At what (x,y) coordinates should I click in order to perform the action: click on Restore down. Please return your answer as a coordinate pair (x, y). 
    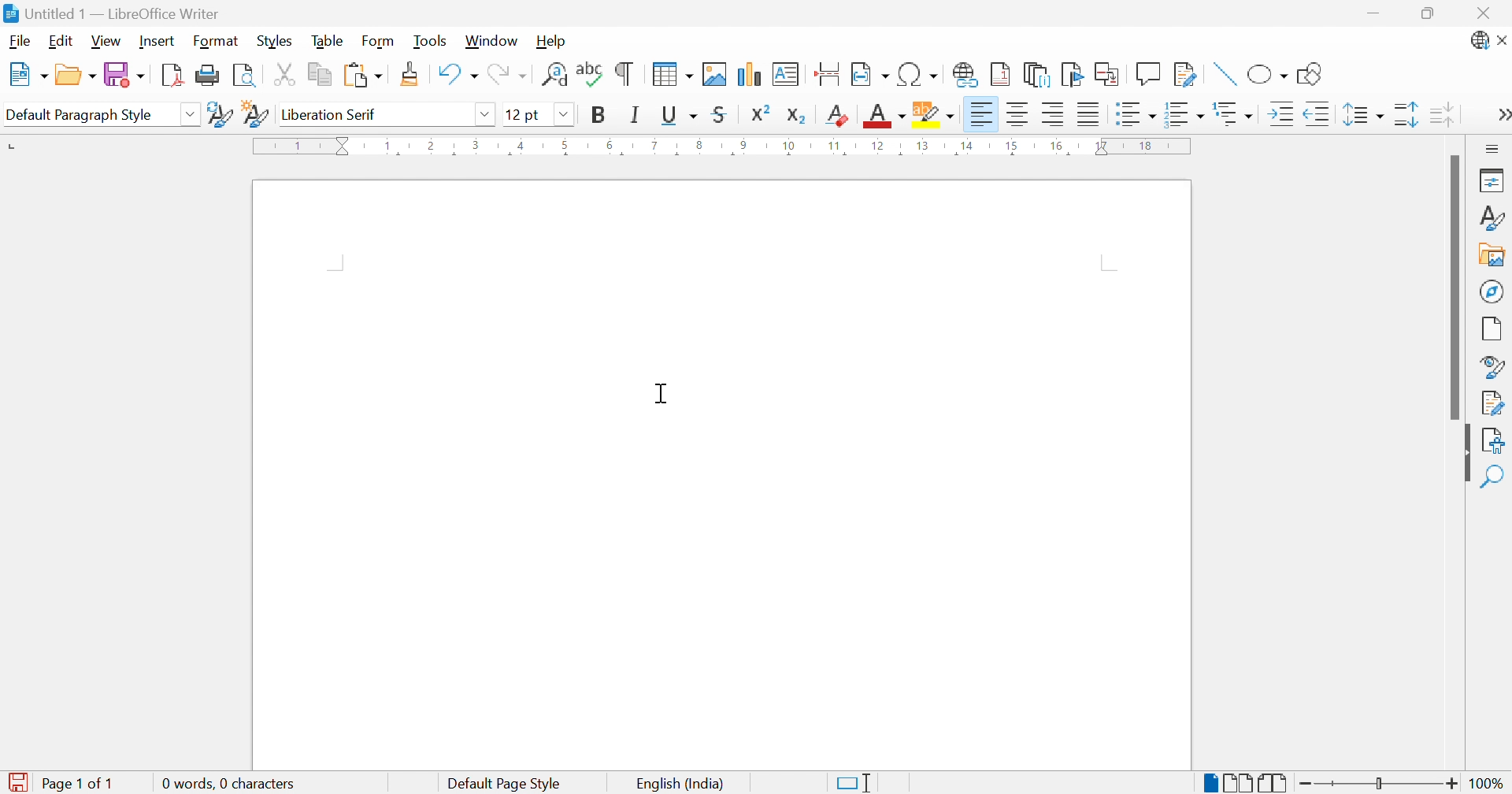
    Looking at the image, I should click on (1428, 15).